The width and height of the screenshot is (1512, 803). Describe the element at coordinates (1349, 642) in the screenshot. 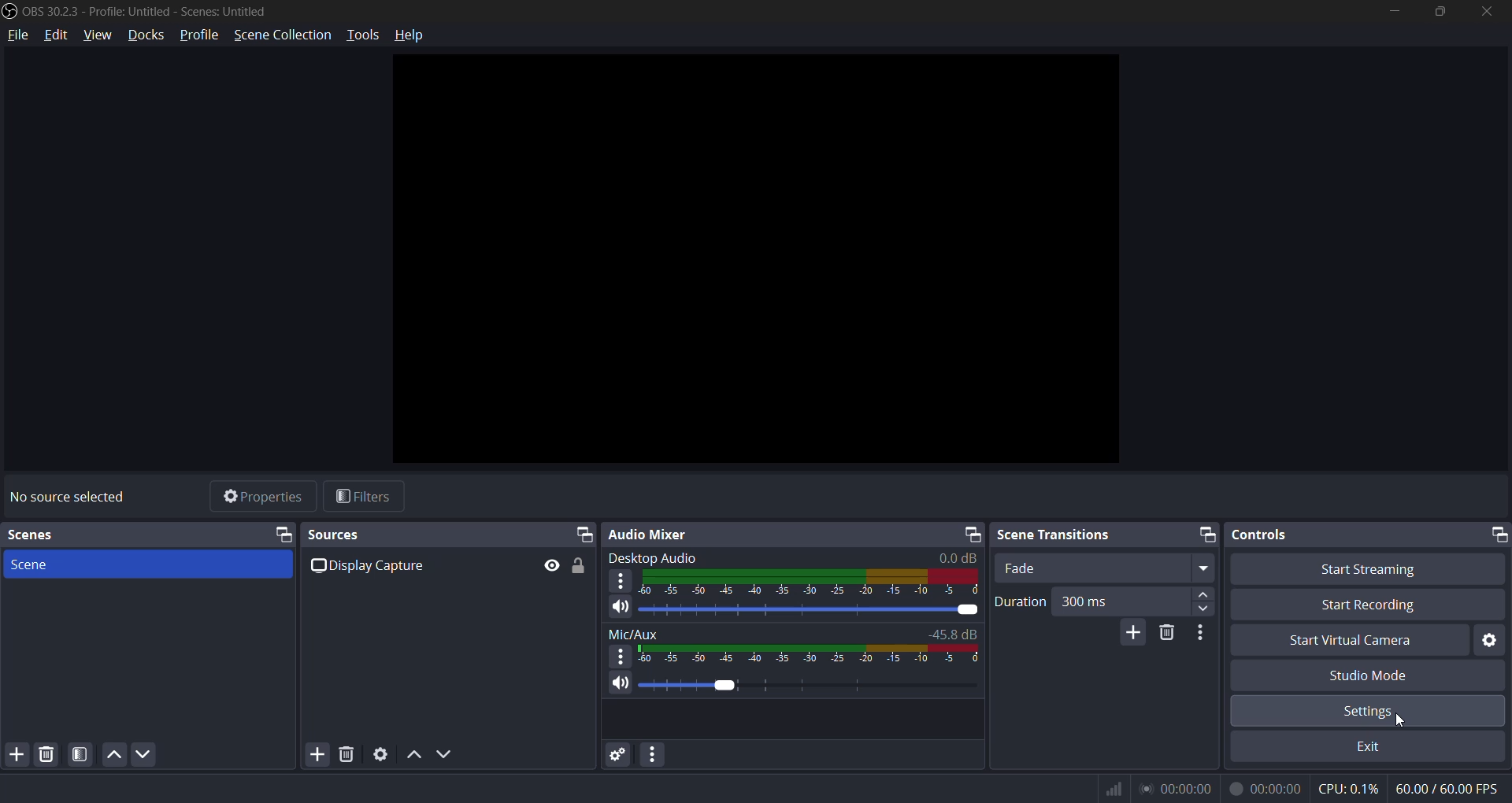

I see `start virtual camera` at that location.